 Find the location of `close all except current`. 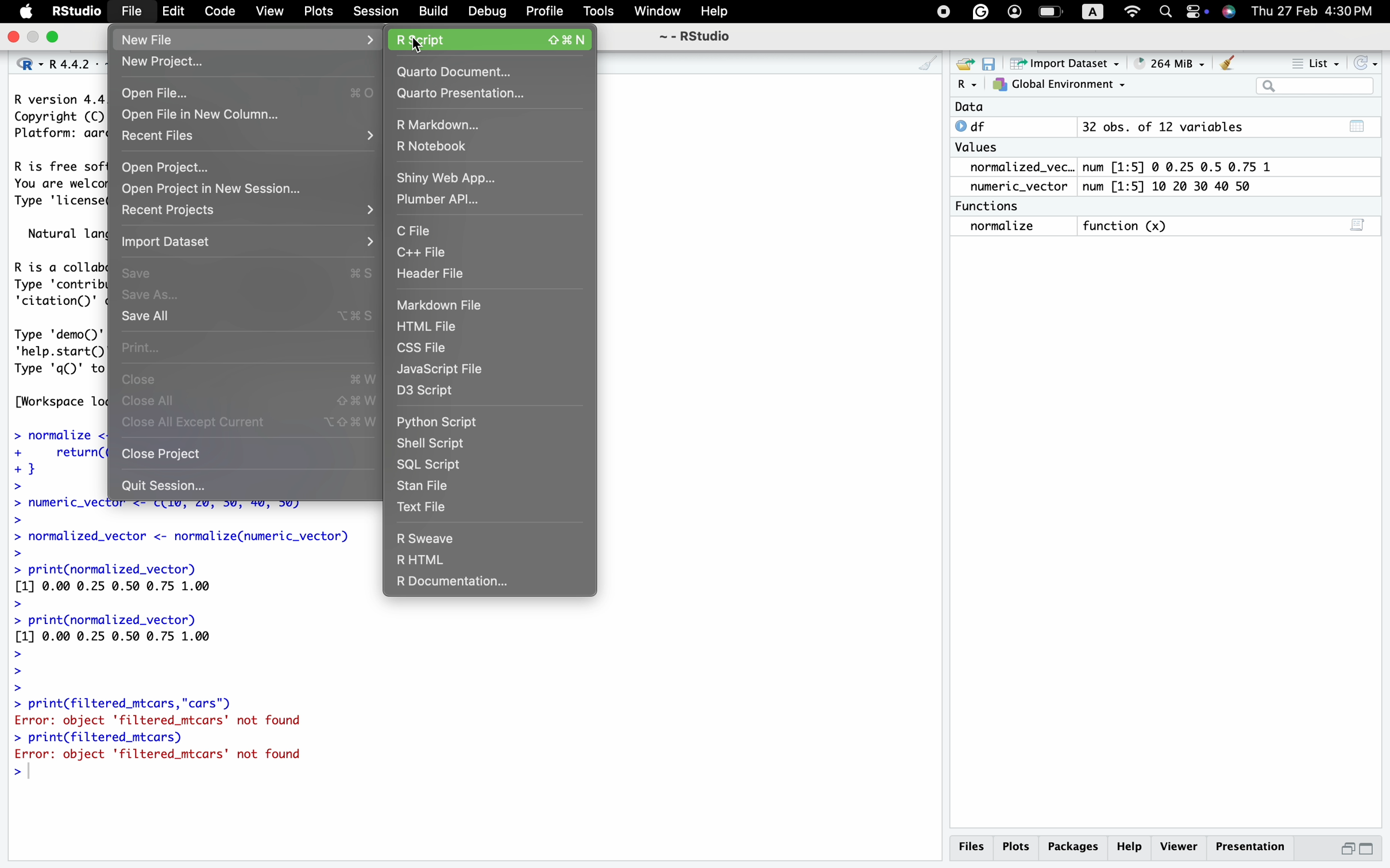

close all except current is located at coordinates (253, 425).